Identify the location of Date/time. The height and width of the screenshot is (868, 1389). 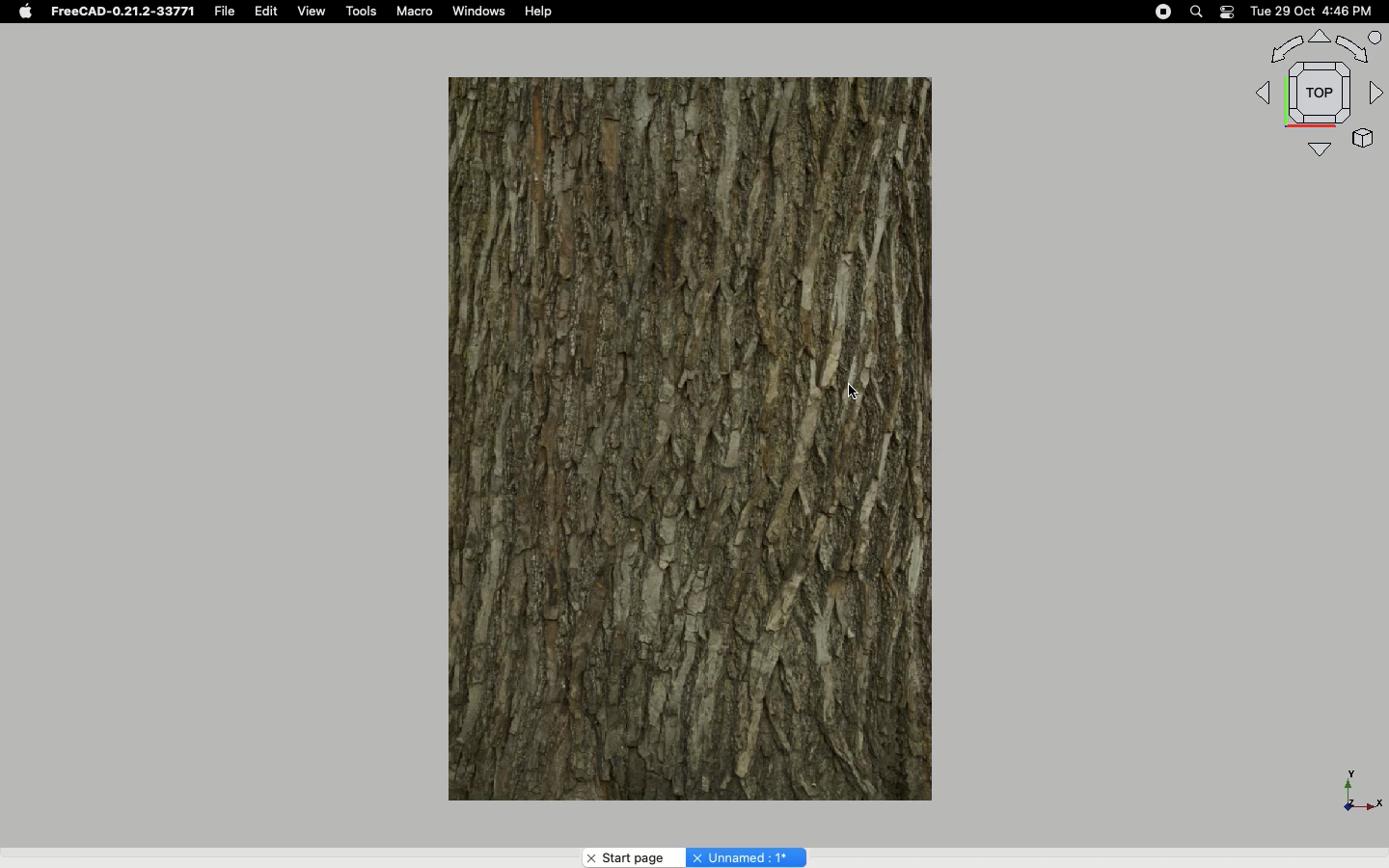
(1314, 12).